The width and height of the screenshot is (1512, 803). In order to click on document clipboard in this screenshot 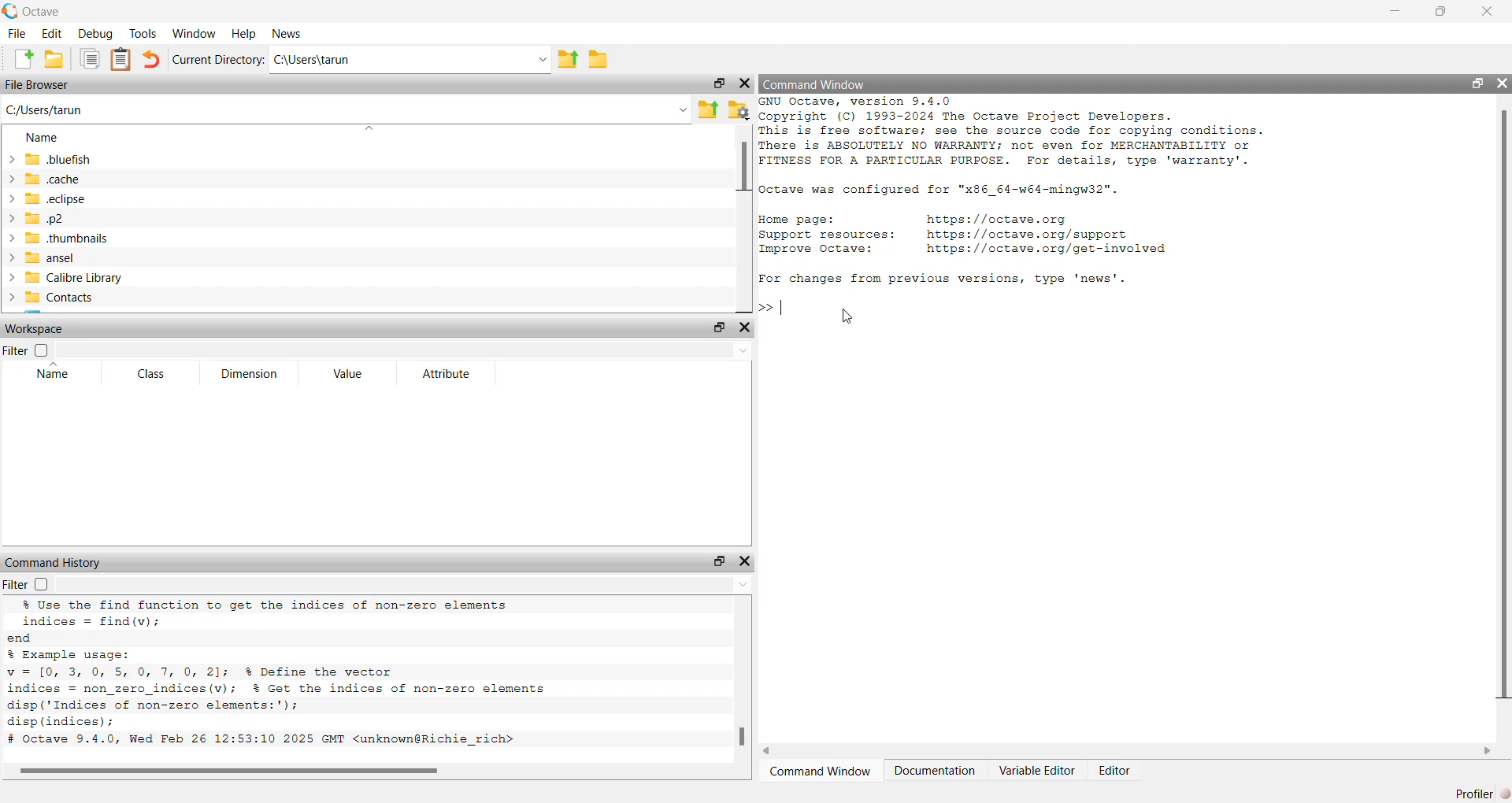, I will do `click(122, 61)`.